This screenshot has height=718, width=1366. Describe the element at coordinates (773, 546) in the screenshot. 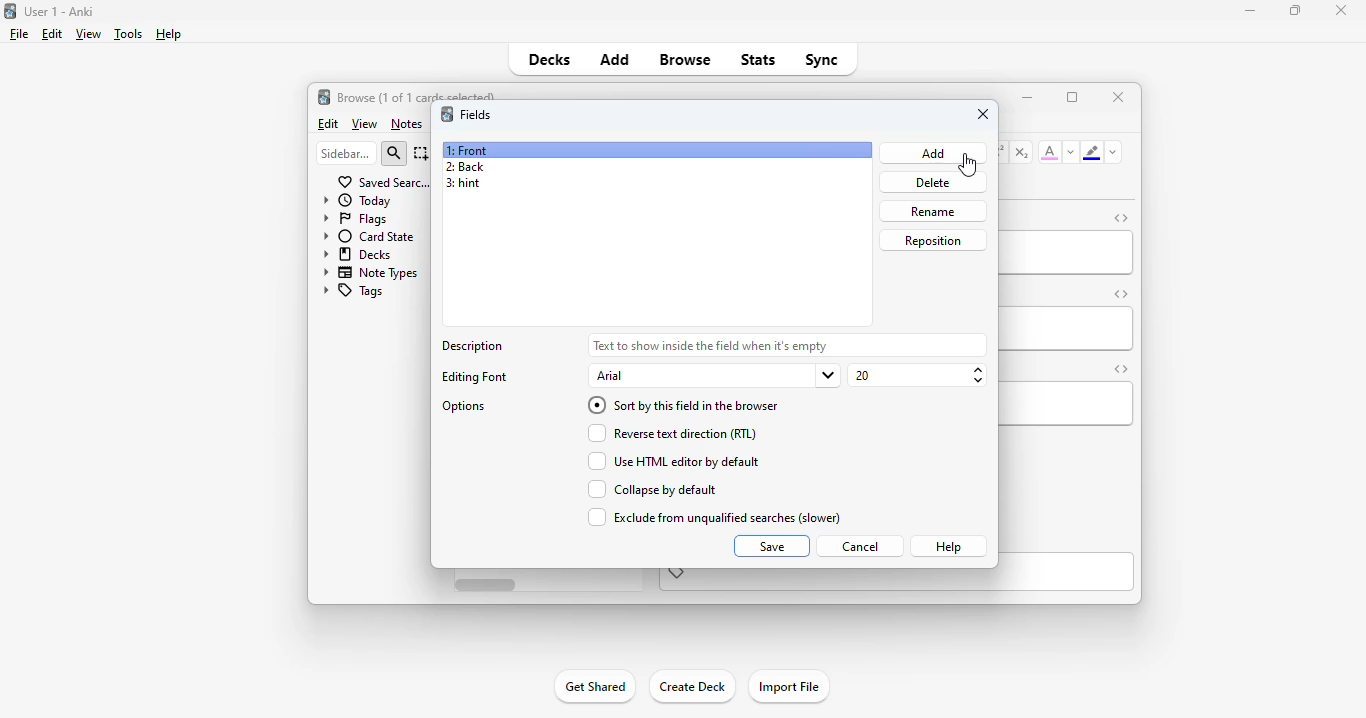

I see `save` at that location.